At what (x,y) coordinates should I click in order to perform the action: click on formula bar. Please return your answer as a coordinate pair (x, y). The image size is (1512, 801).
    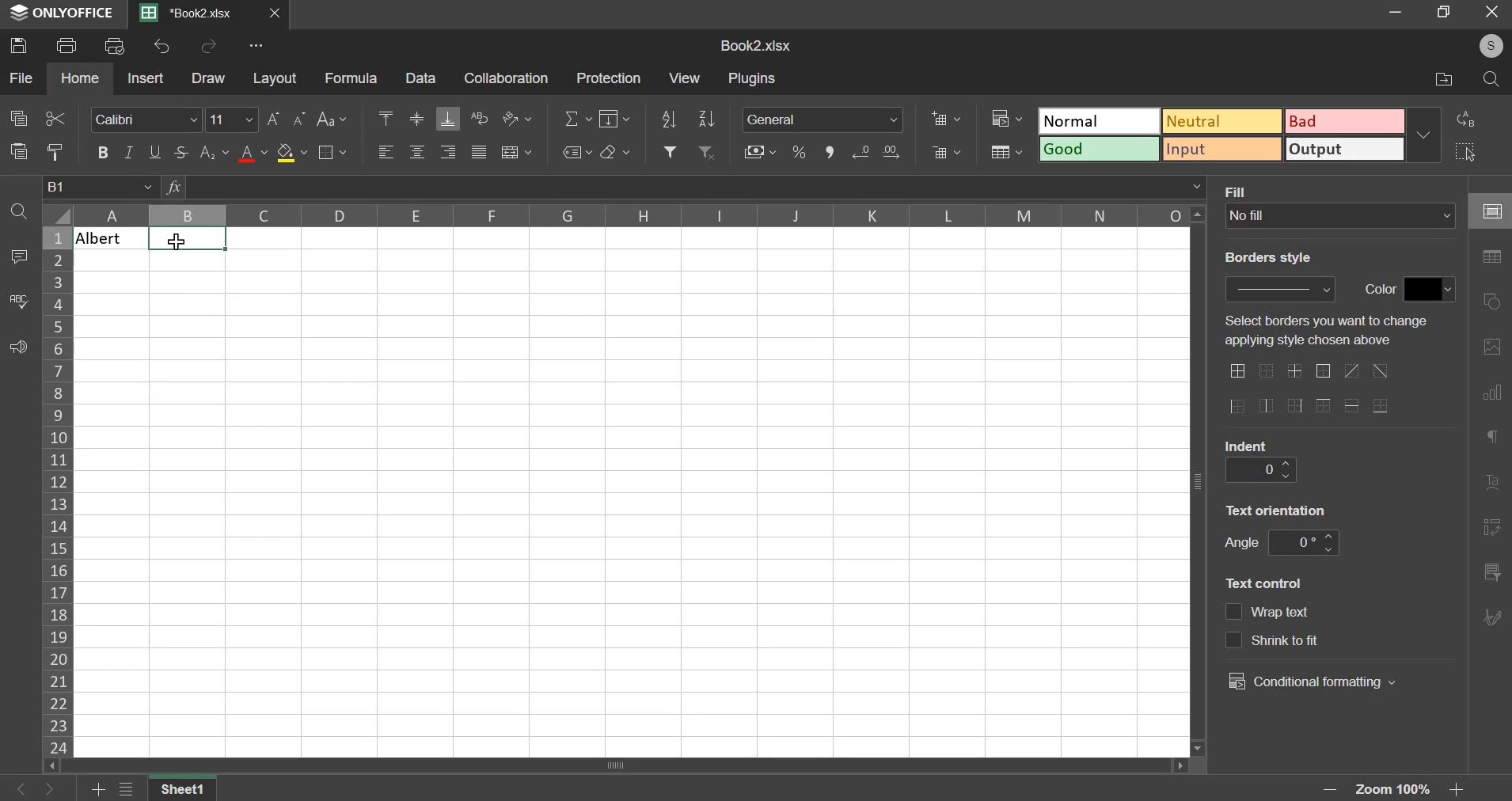
    Looking at the image, I should click on (697, 188).